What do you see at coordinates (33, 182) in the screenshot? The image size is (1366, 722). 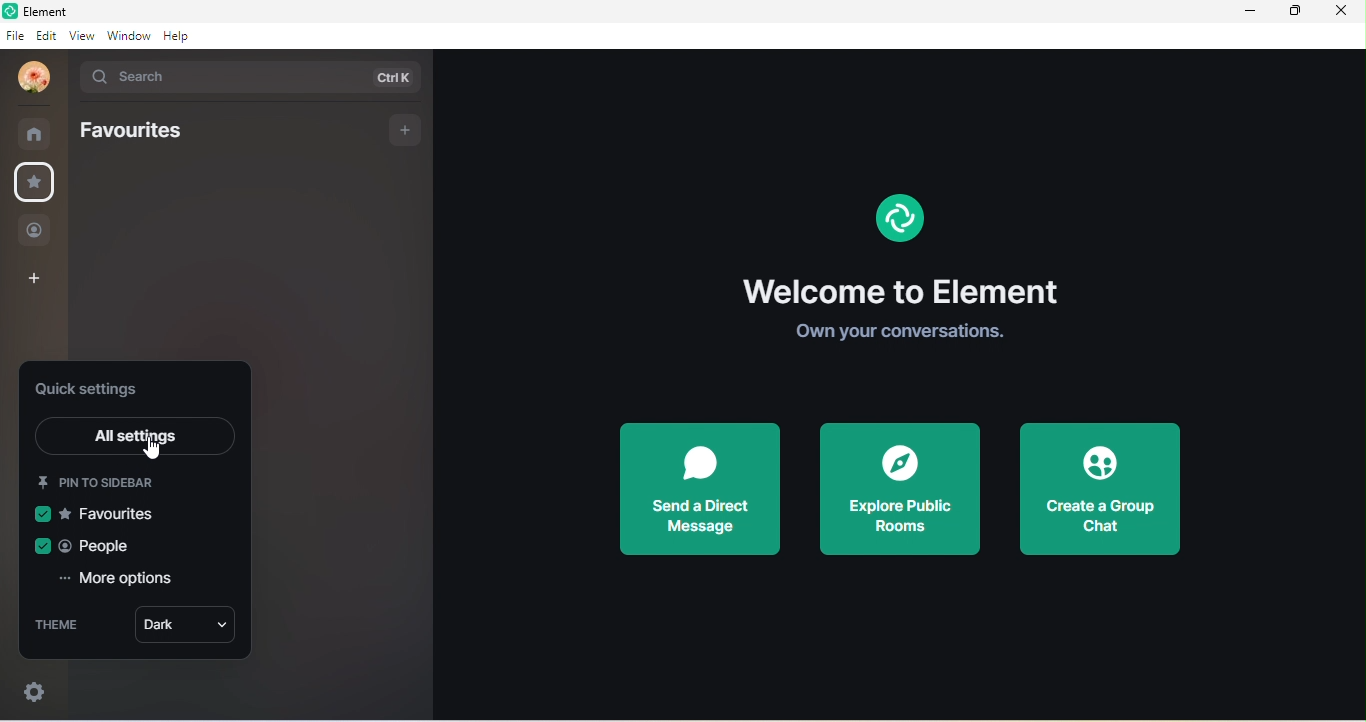 I see `favorites` at bounding box center [33, 182].